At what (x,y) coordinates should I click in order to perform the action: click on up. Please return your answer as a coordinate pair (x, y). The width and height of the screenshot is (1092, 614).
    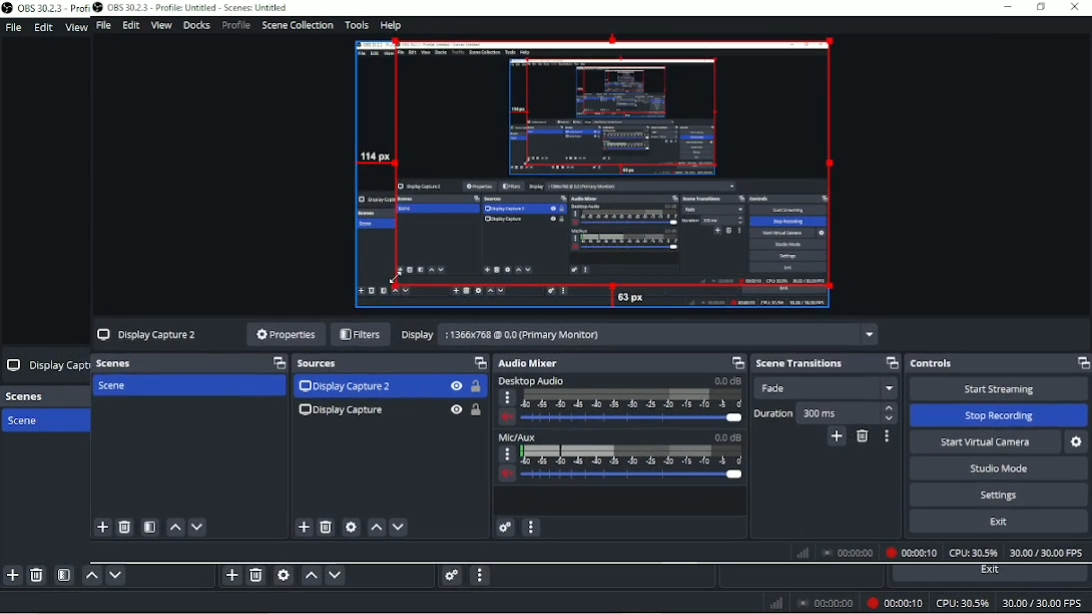
    Looking at the image, I should click on (176, 528).